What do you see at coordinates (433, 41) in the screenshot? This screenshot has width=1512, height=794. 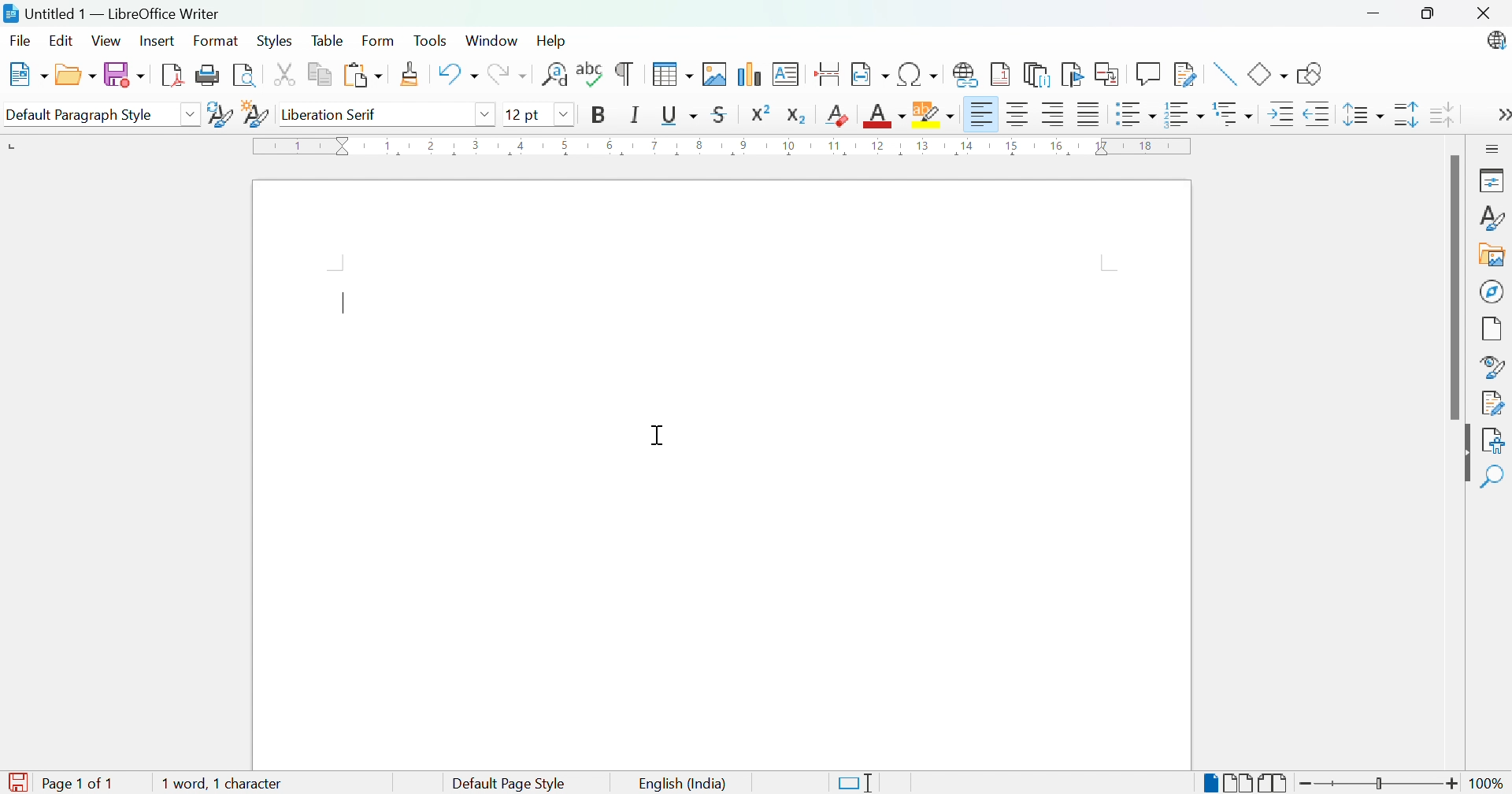 I see `Tools` at bounding box center [433, 41].